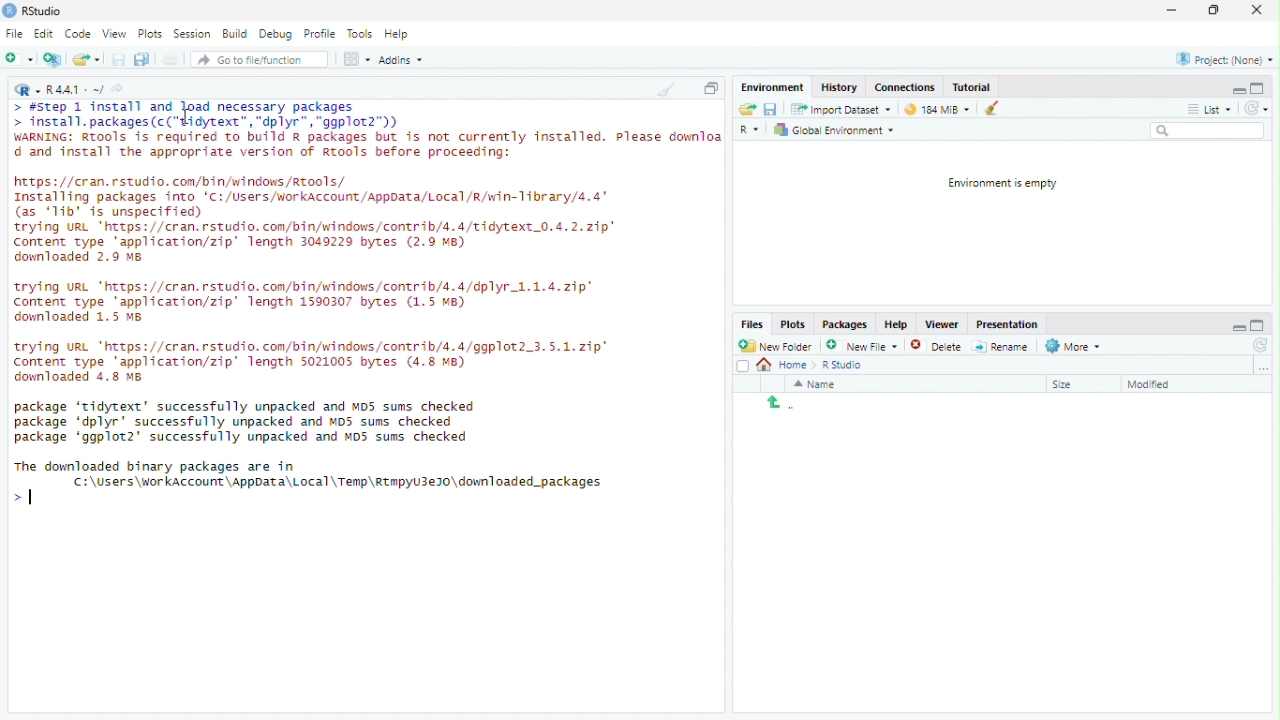 This screenshot has width=1280, height=720. What do you see at coordinates (834, 129) in the screenshot?
I see `Global Environment` at bounding box center [834, 129].